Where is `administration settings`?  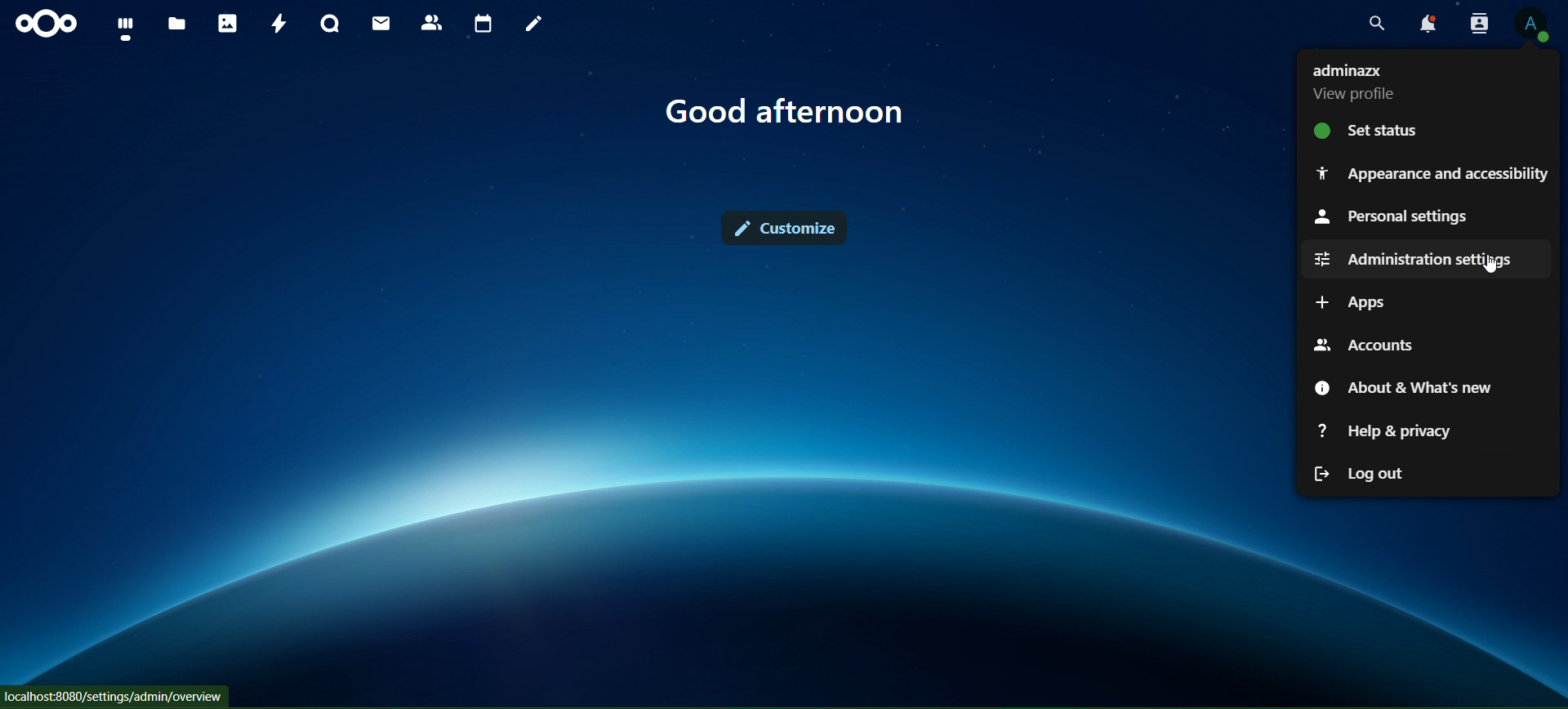
administration settings is located at coordinates (1424, 259).